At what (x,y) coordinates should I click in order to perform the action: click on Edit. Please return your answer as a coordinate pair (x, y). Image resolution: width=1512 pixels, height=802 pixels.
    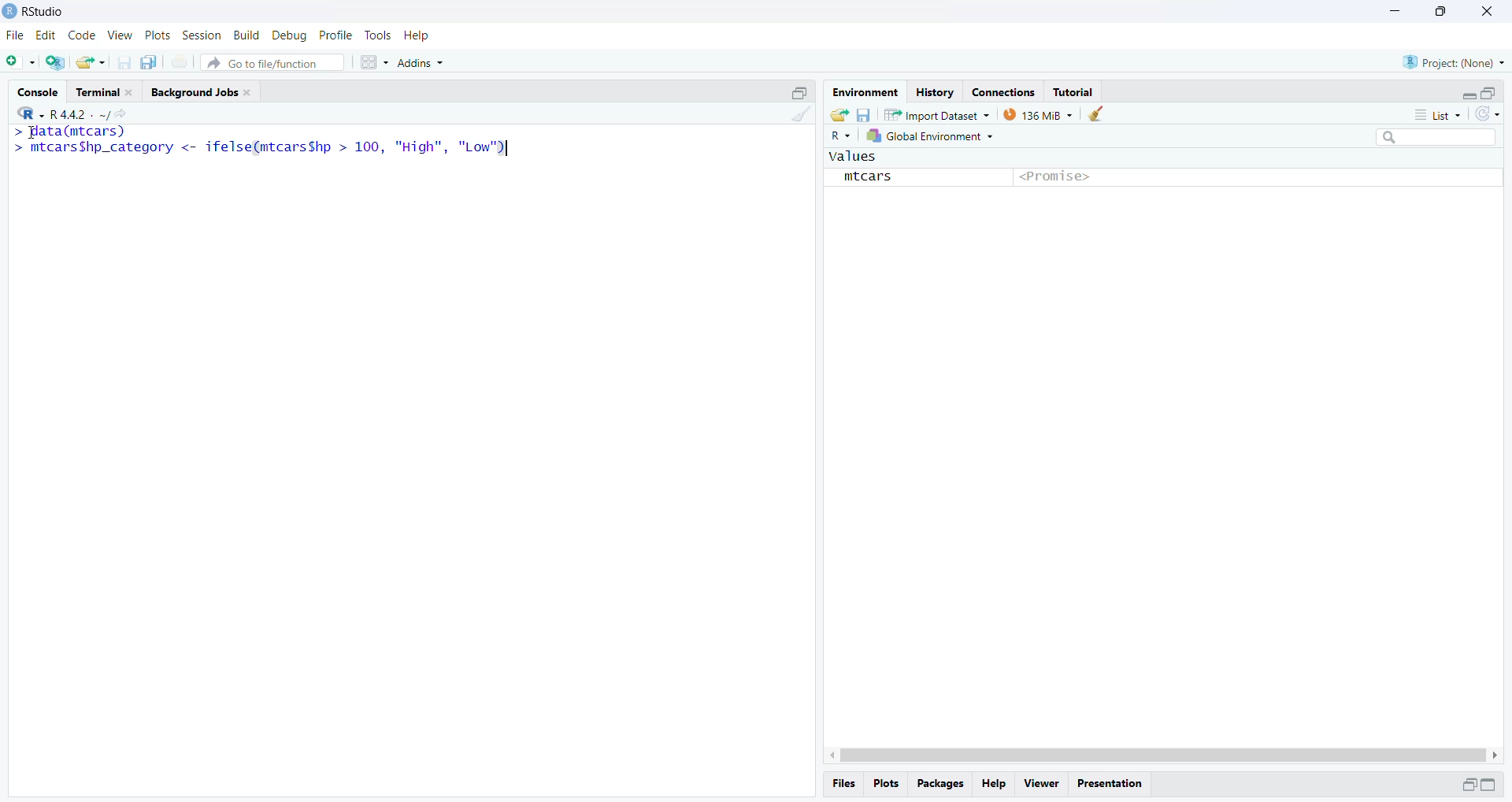
    Looking at the image, I should click on (46, 36).